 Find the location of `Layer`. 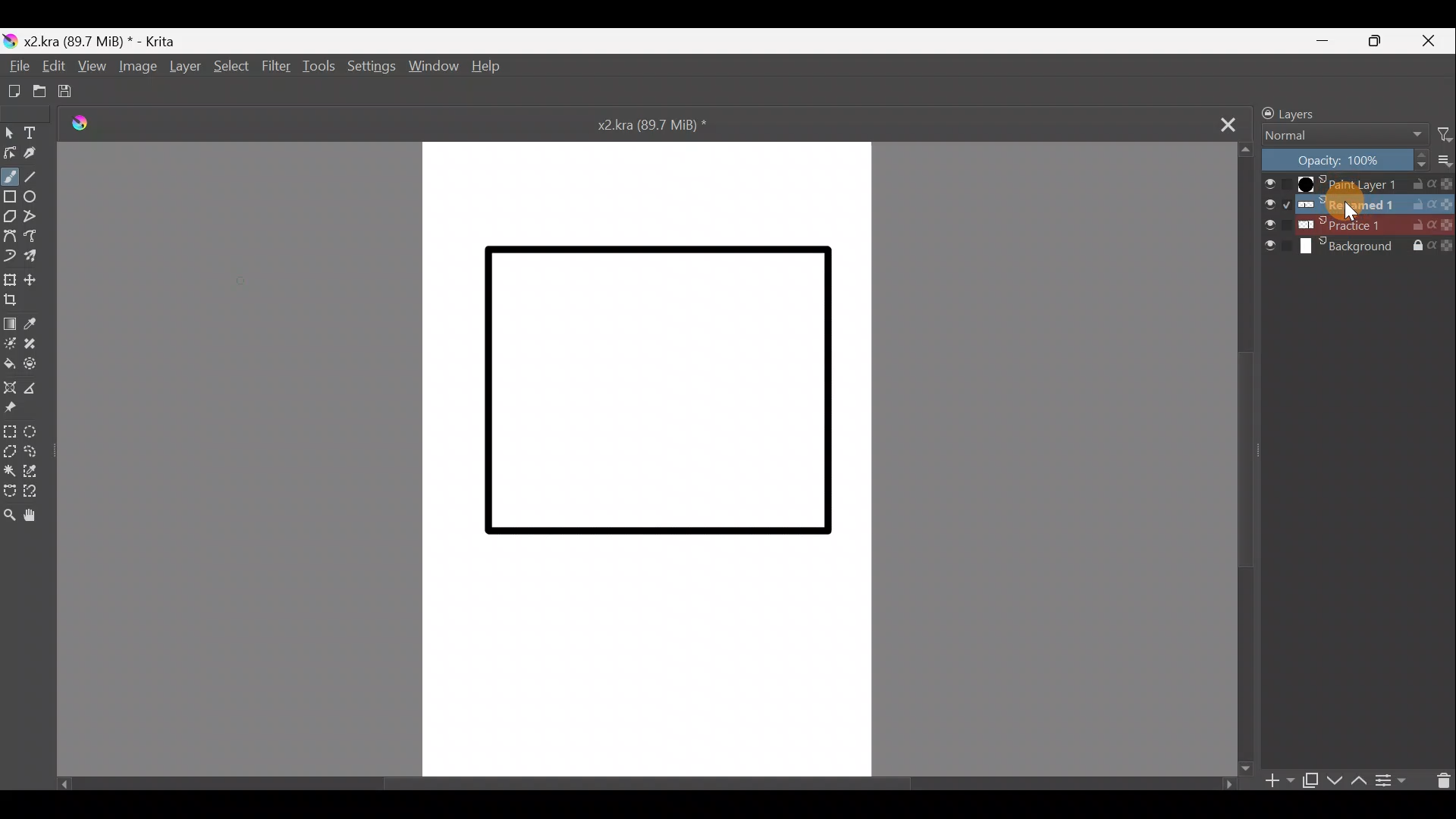

Layer is located at coordinates (184, 67).